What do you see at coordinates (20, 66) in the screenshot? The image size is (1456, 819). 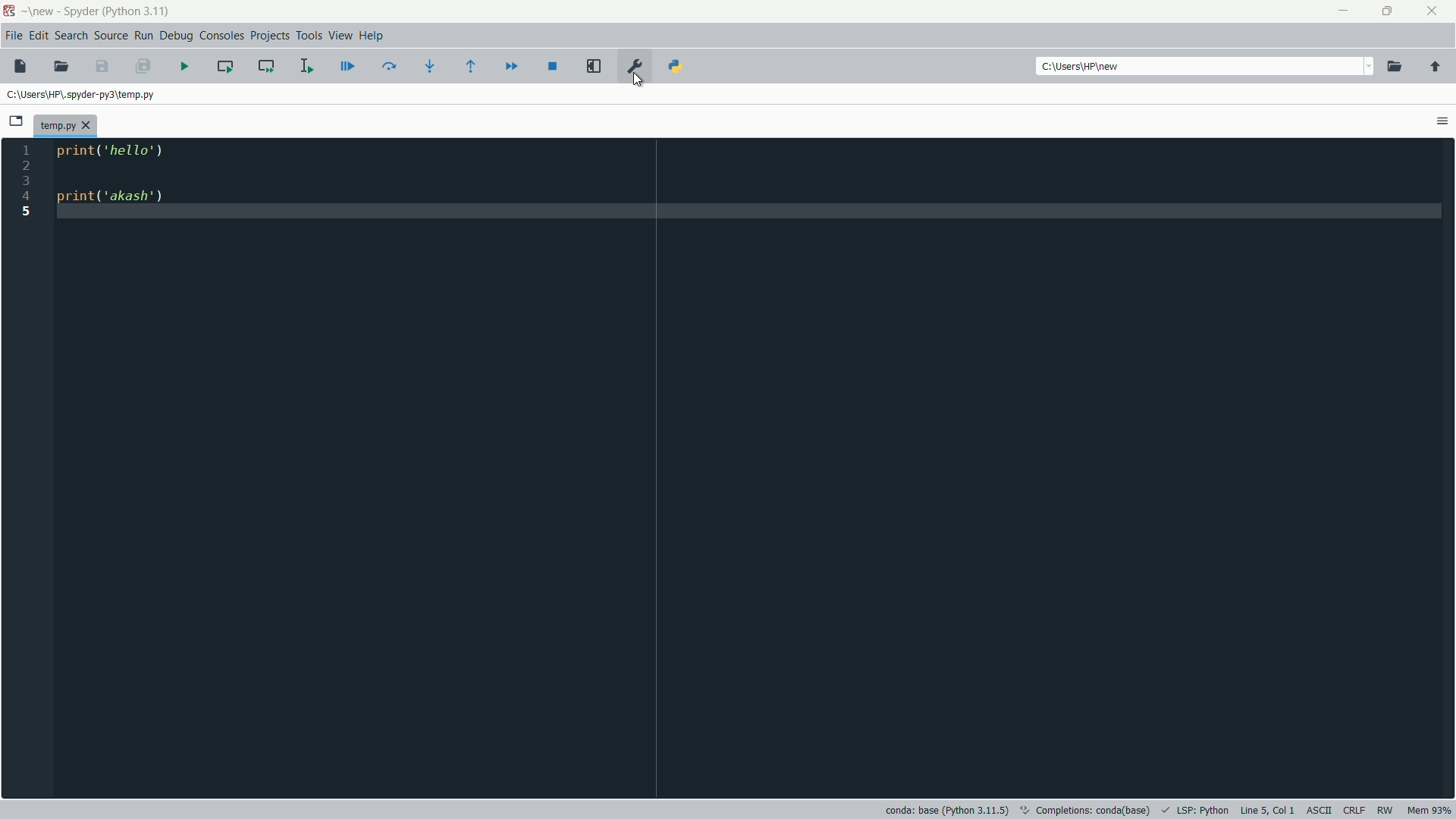 I see `new file` at bounding box center [20, 66].